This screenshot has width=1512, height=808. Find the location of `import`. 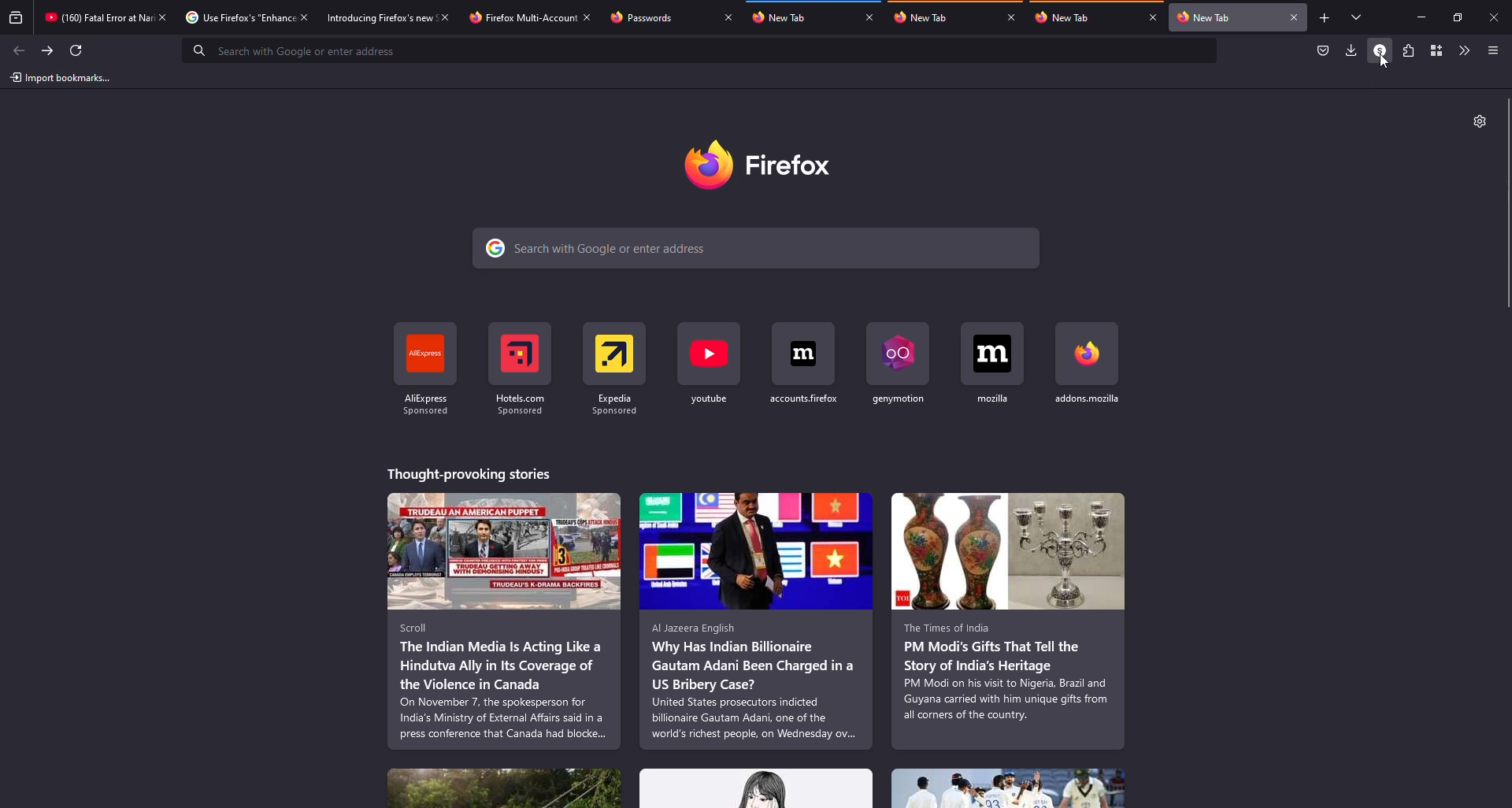

import is located at coordinates (61, 78).